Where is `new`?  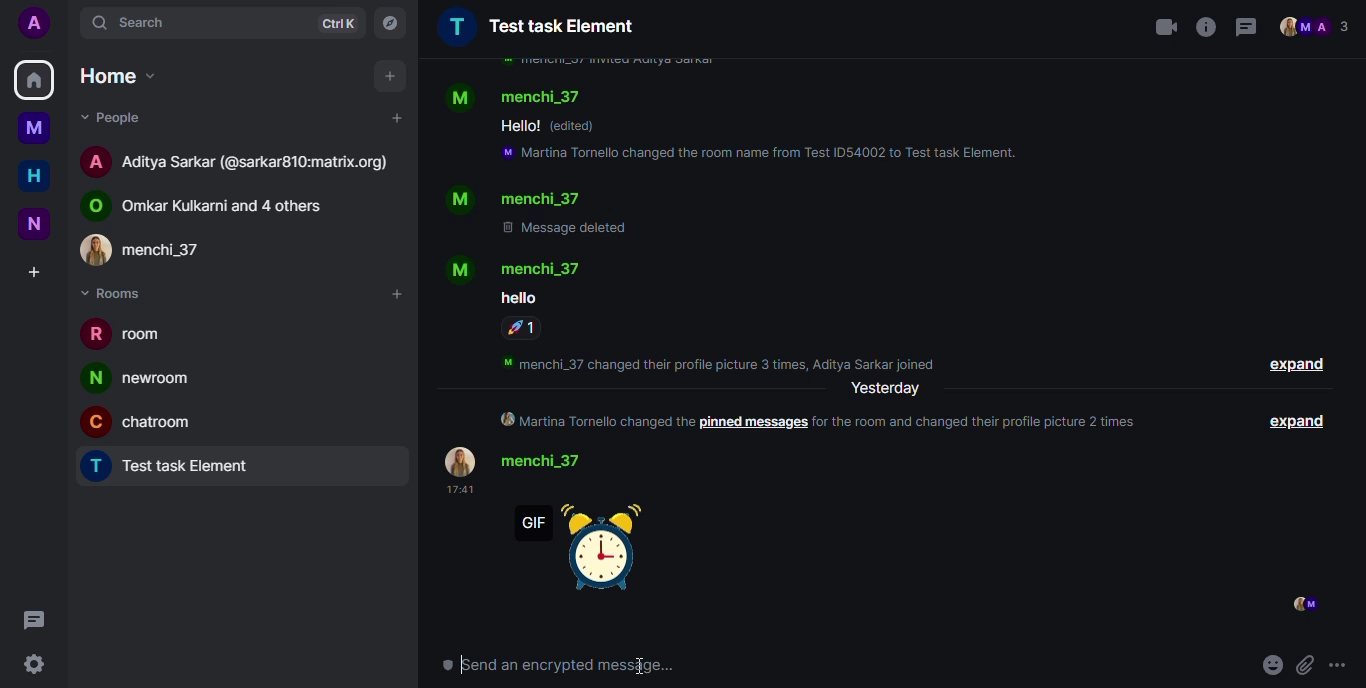 new is located at coordinates (35, 222).